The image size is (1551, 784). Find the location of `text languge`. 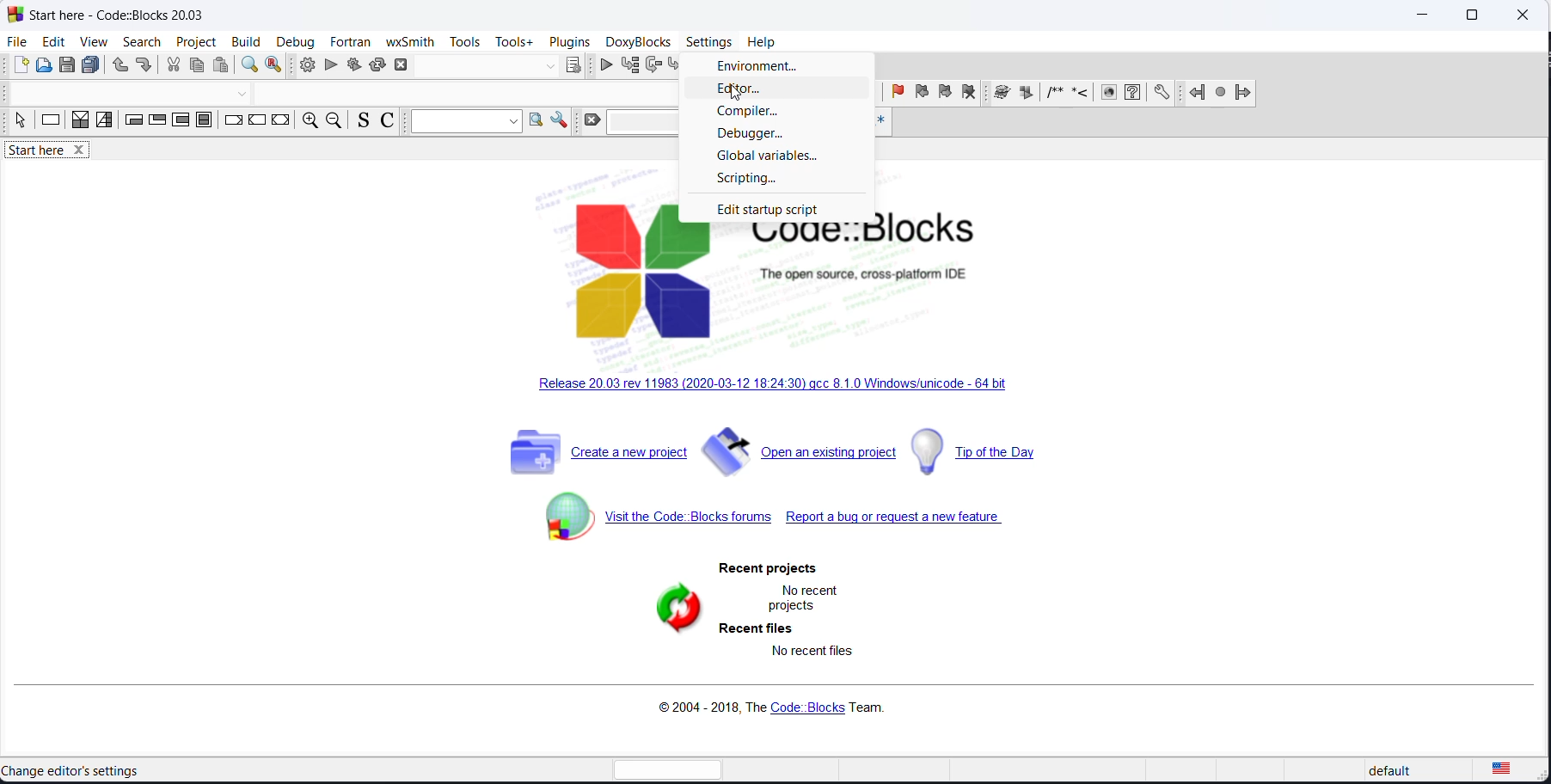

text languge is located at coordinates (1513, 772).